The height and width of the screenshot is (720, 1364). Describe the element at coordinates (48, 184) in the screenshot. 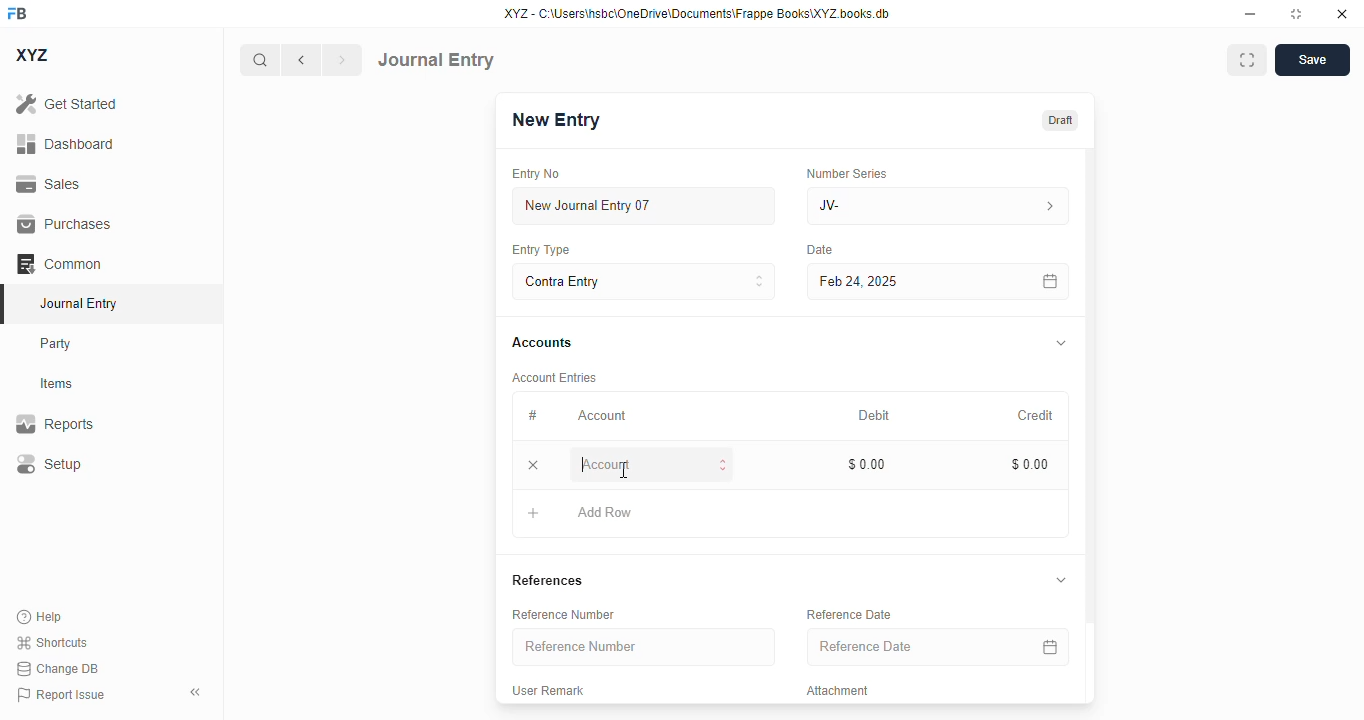

I see `sales` at that location.